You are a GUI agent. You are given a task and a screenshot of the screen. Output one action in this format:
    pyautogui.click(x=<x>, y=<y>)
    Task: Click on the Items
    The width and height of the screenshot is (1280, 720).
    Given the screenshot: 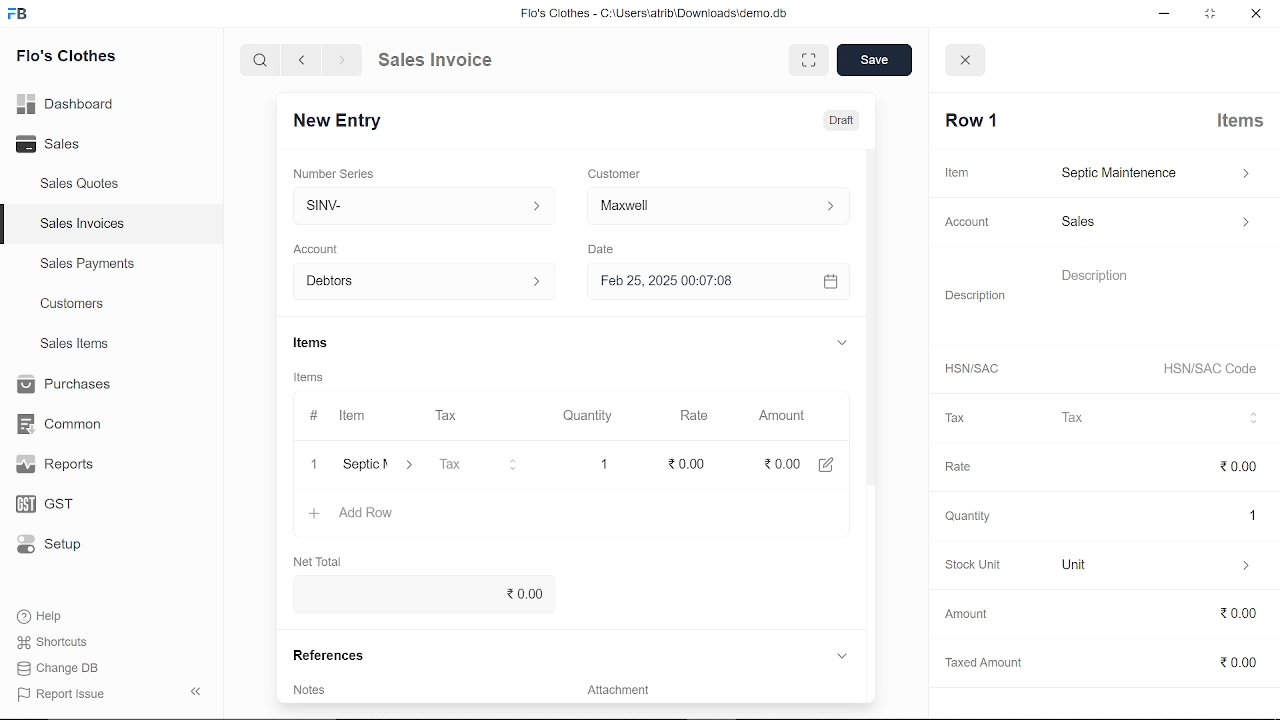 What is the action you would take?
    pyautogui.click(x=317, y=377)
    